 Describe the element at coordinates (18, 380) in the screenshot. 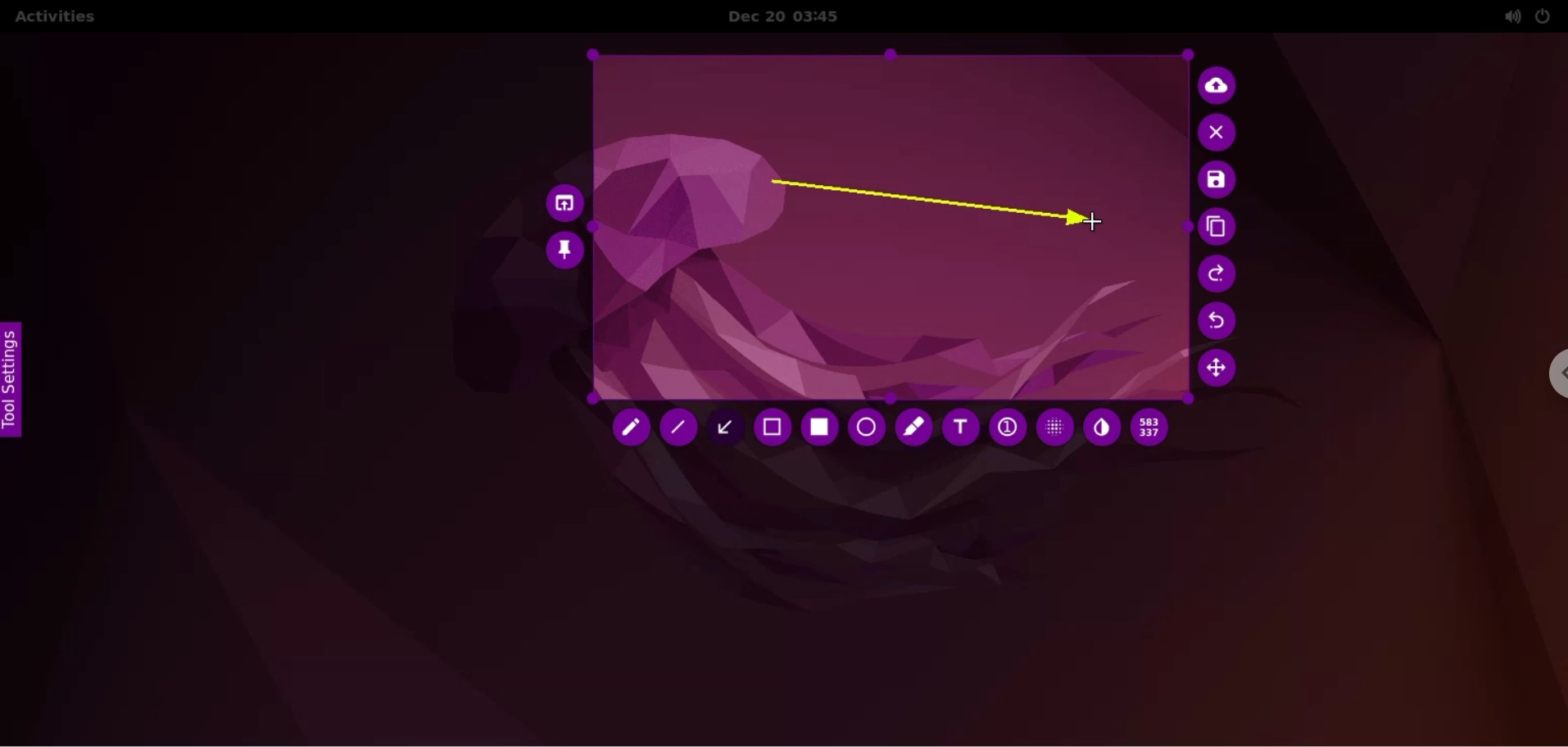

I see `tool settings` at that location.